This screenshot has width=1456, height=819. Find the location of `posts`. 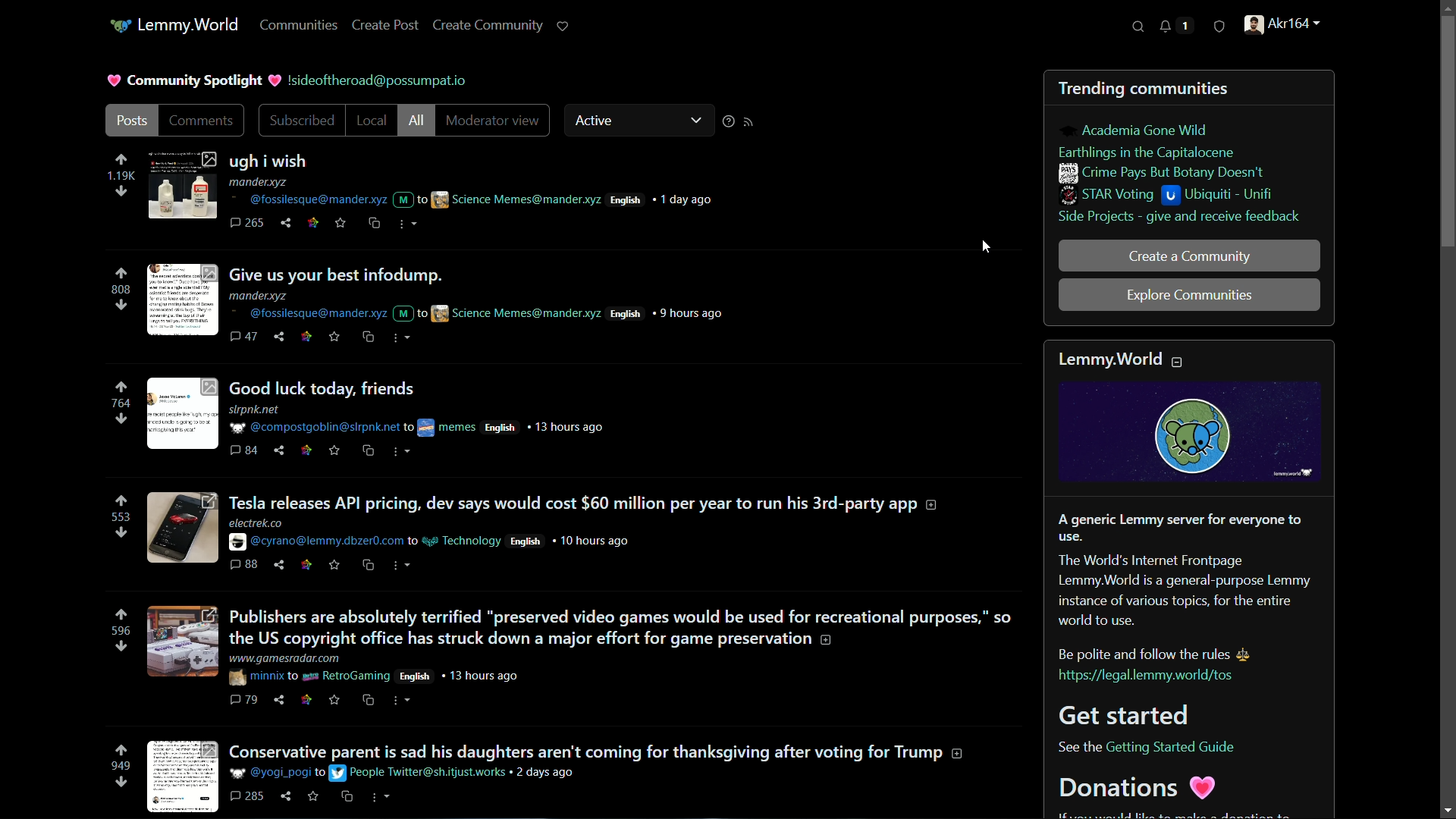

posts is located at coordinates (134, 122).